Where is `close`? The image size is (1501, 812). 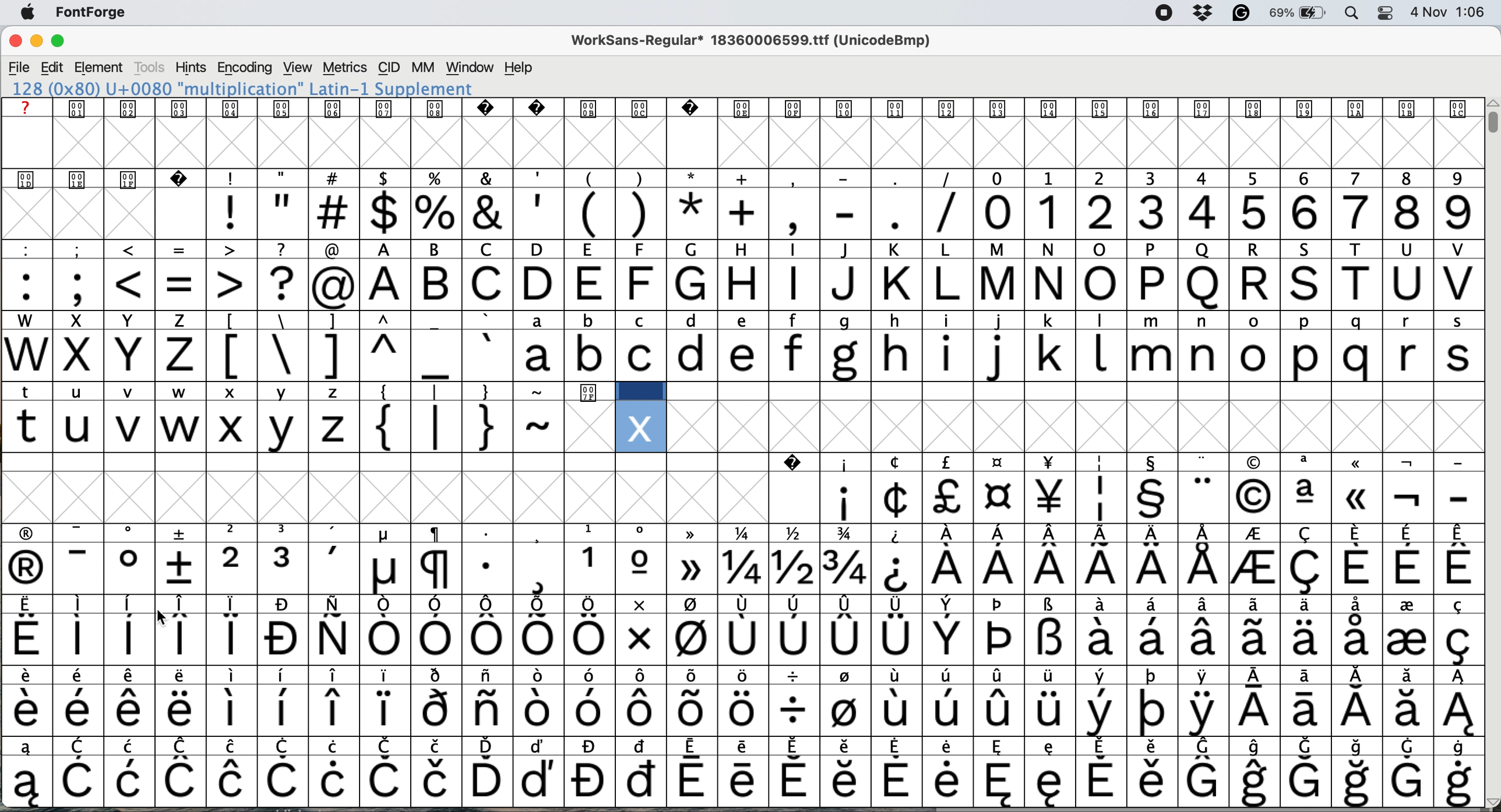 close is located at coordinates (15, 43).